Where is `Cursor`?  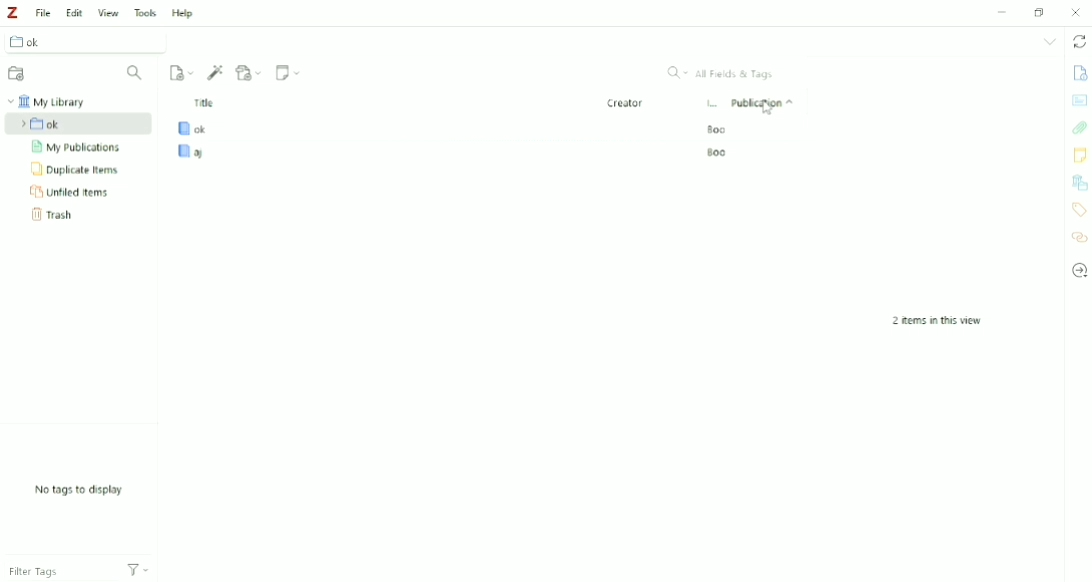
Cursor is located at coordinates (772, 111).